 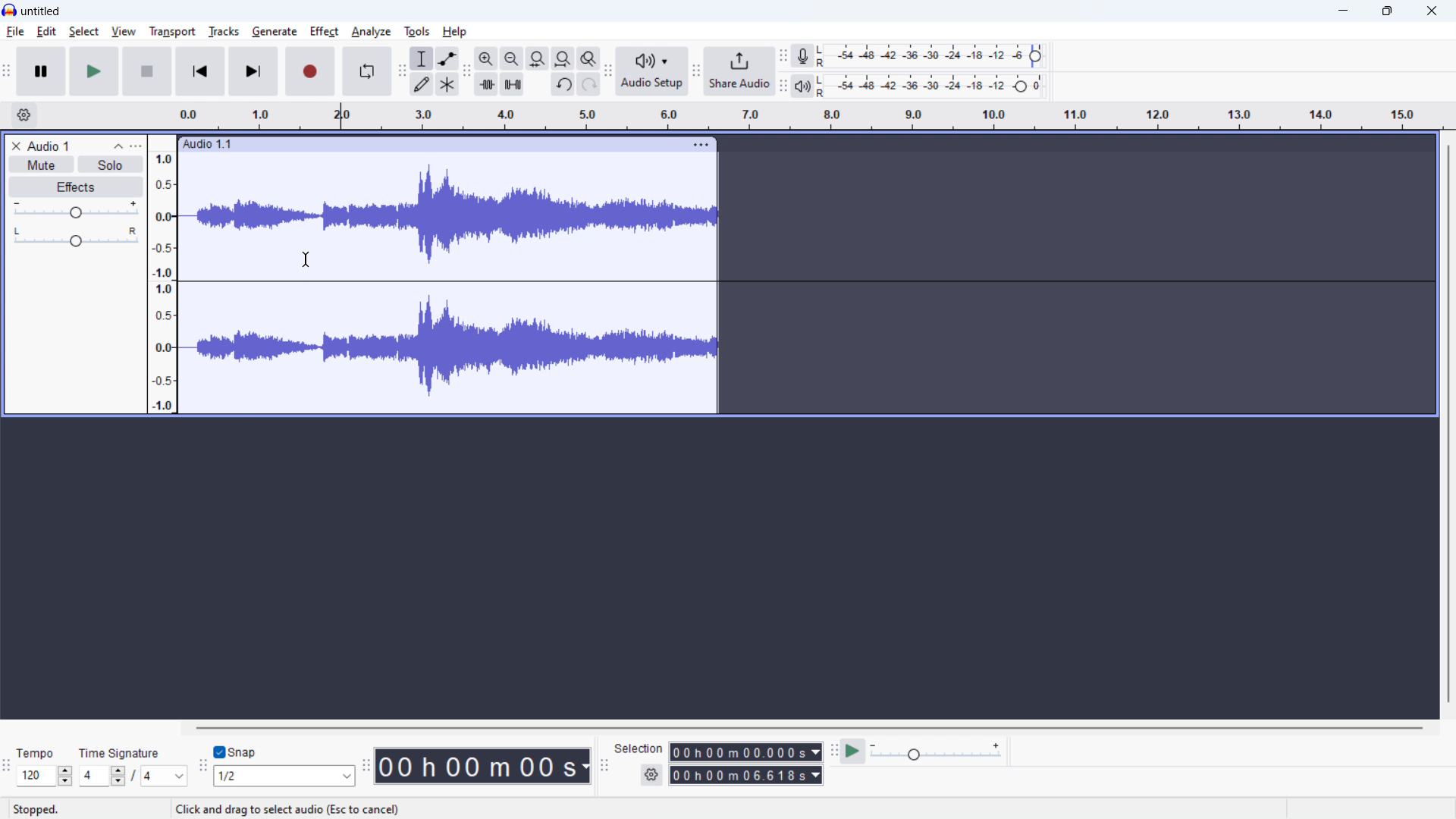 I want to click on help, so click(x=455, y=31).